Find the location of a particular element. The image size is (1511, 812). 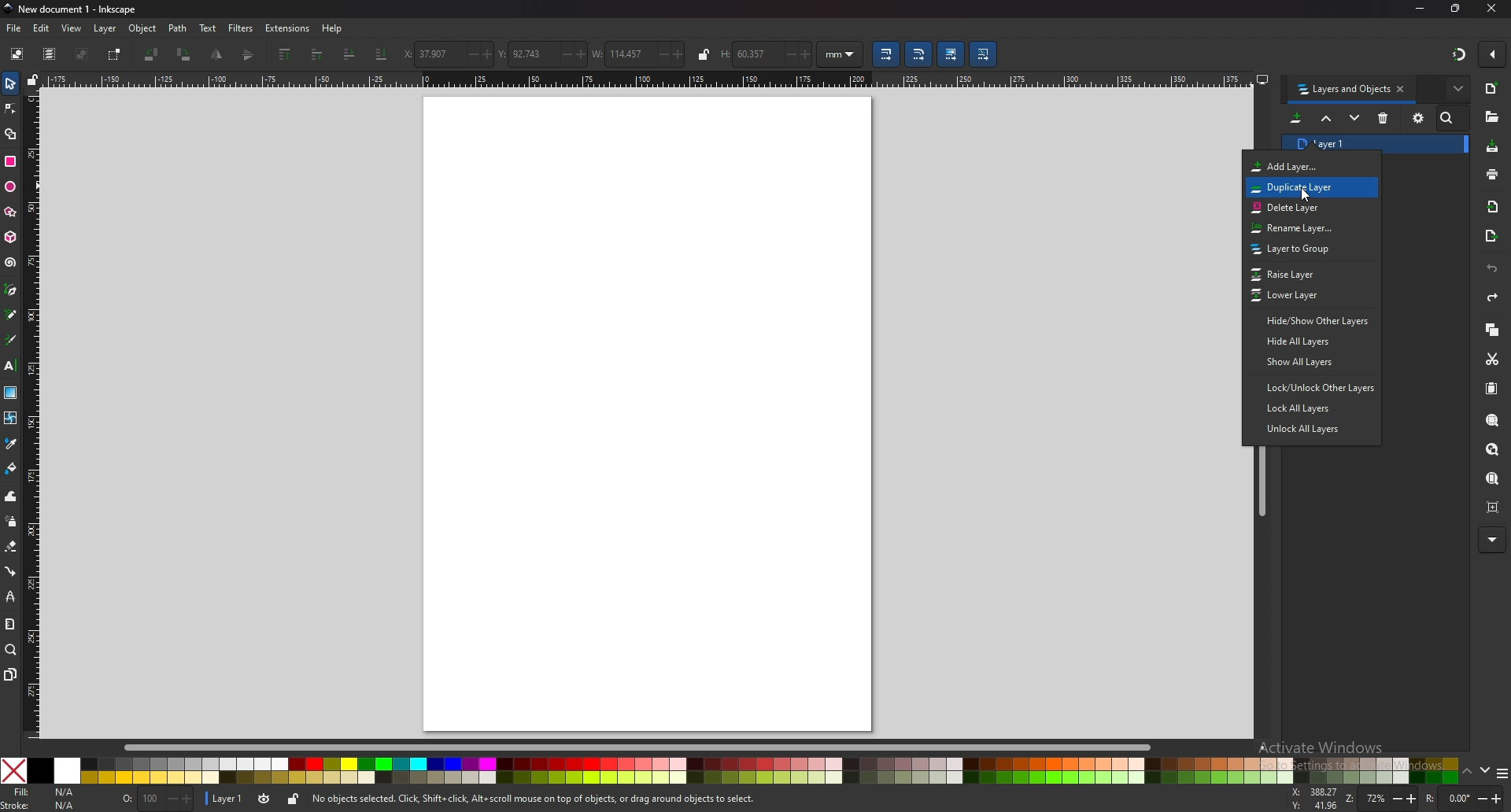

rotate 90 degree ccw is located at coordinates (151, 55).